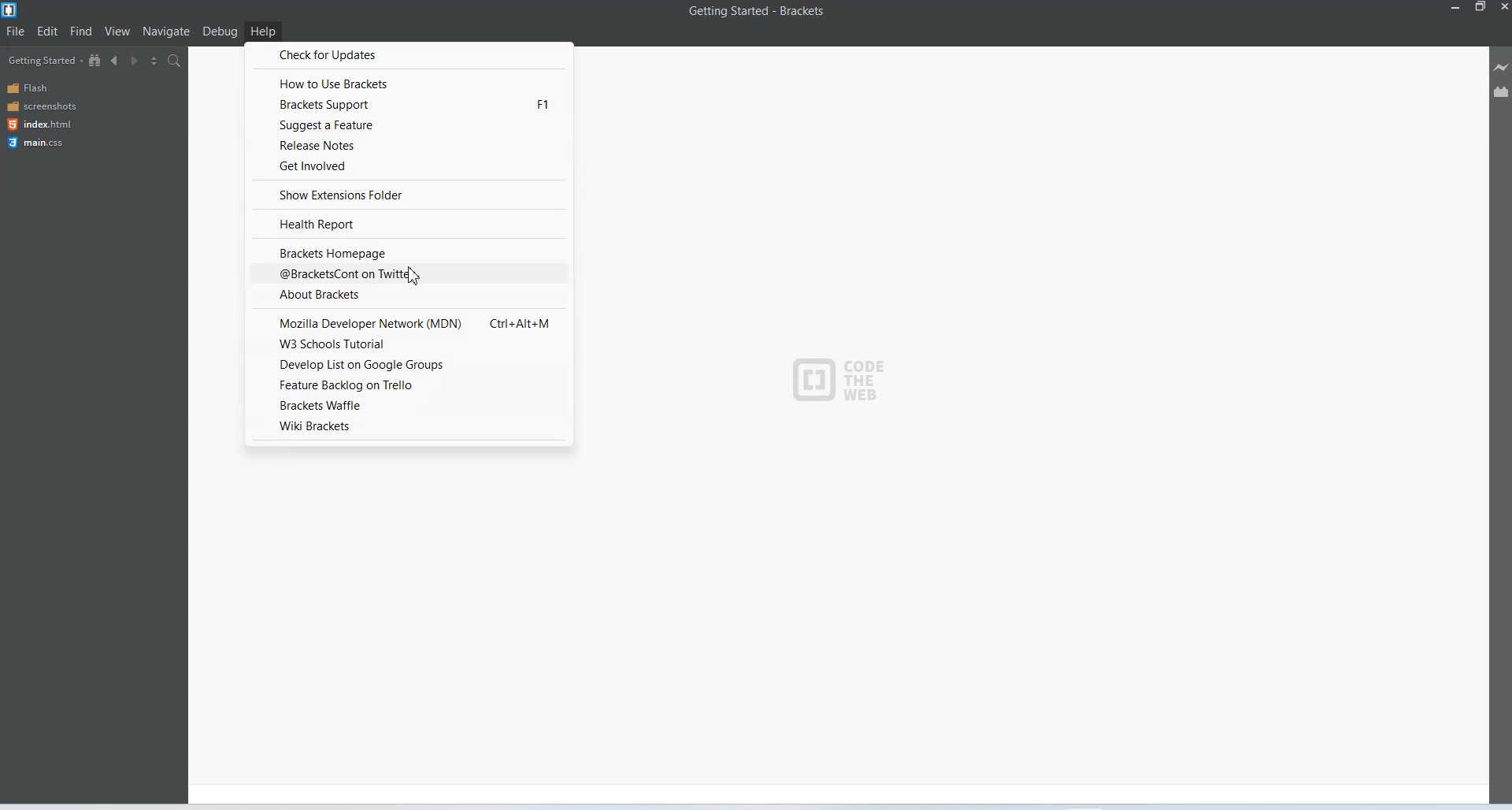  What do you see at coordinates (264, 32) in the screenshot?
I see `Help` at bounding box center [264, 32].